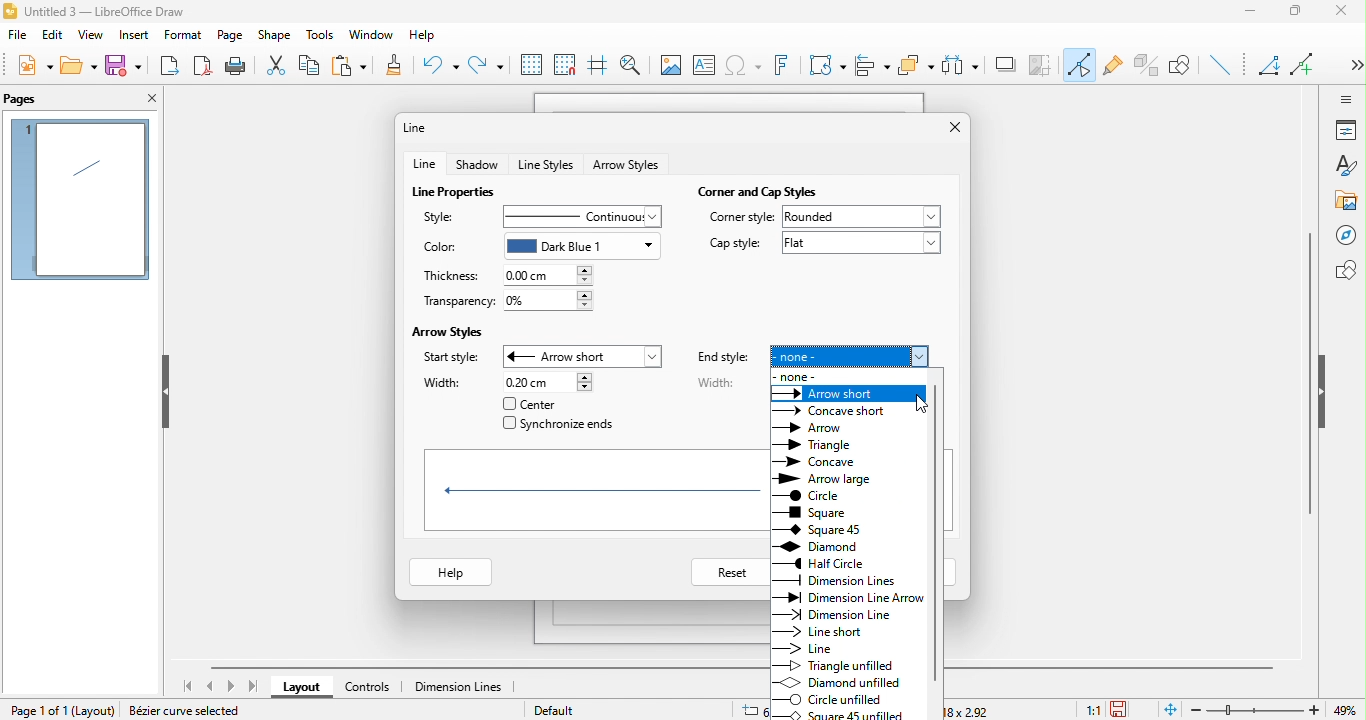 Image resolution: width=1366 pixels, height=720 pixels. What do you see at coordinates (1168, 709) in the screenshot?
I see `fit to the current page` at bounding box center [1168, 709].